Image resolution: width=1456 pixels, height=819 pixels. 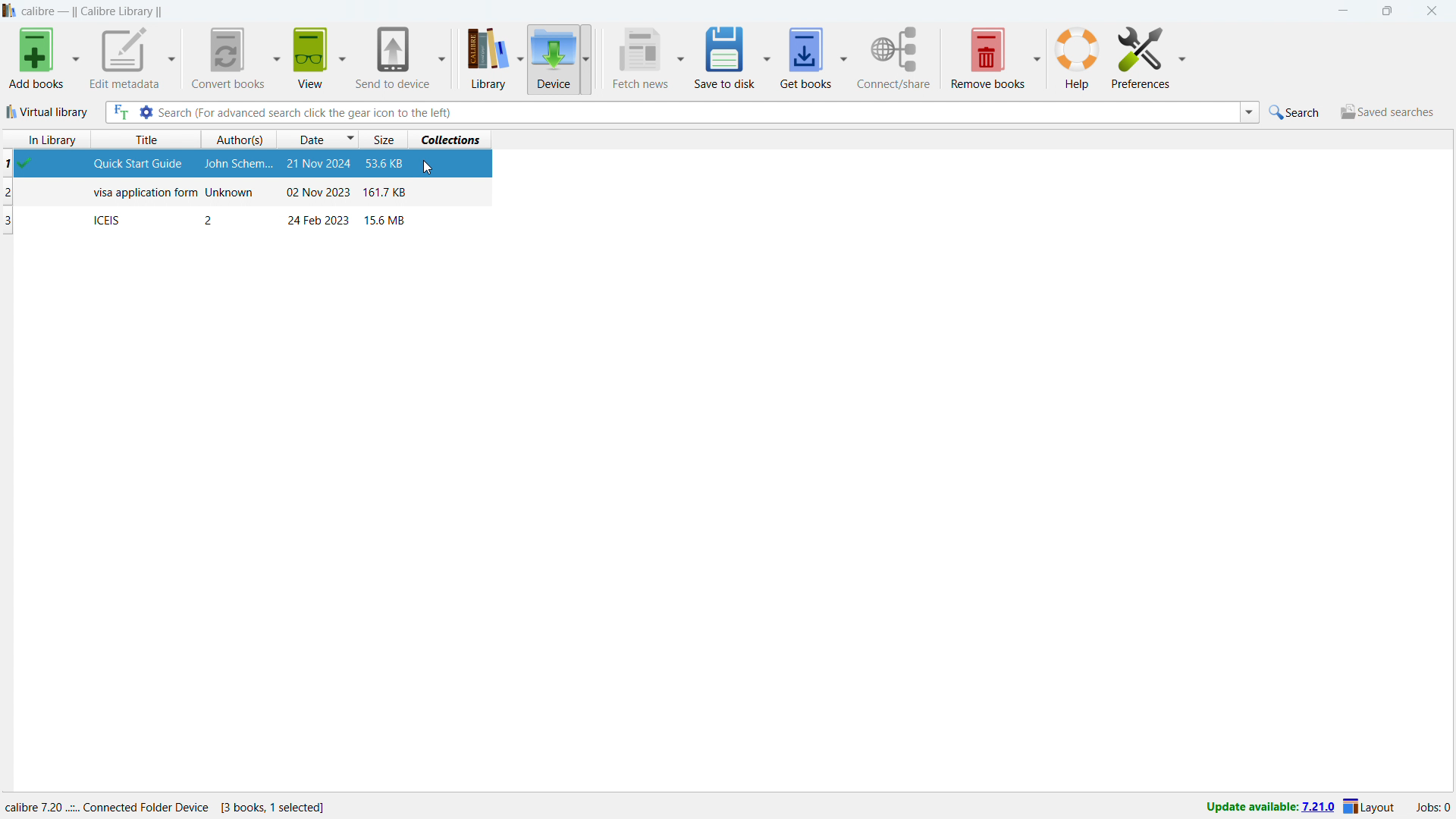 I want to click on close, so click(x=1430, y=11).